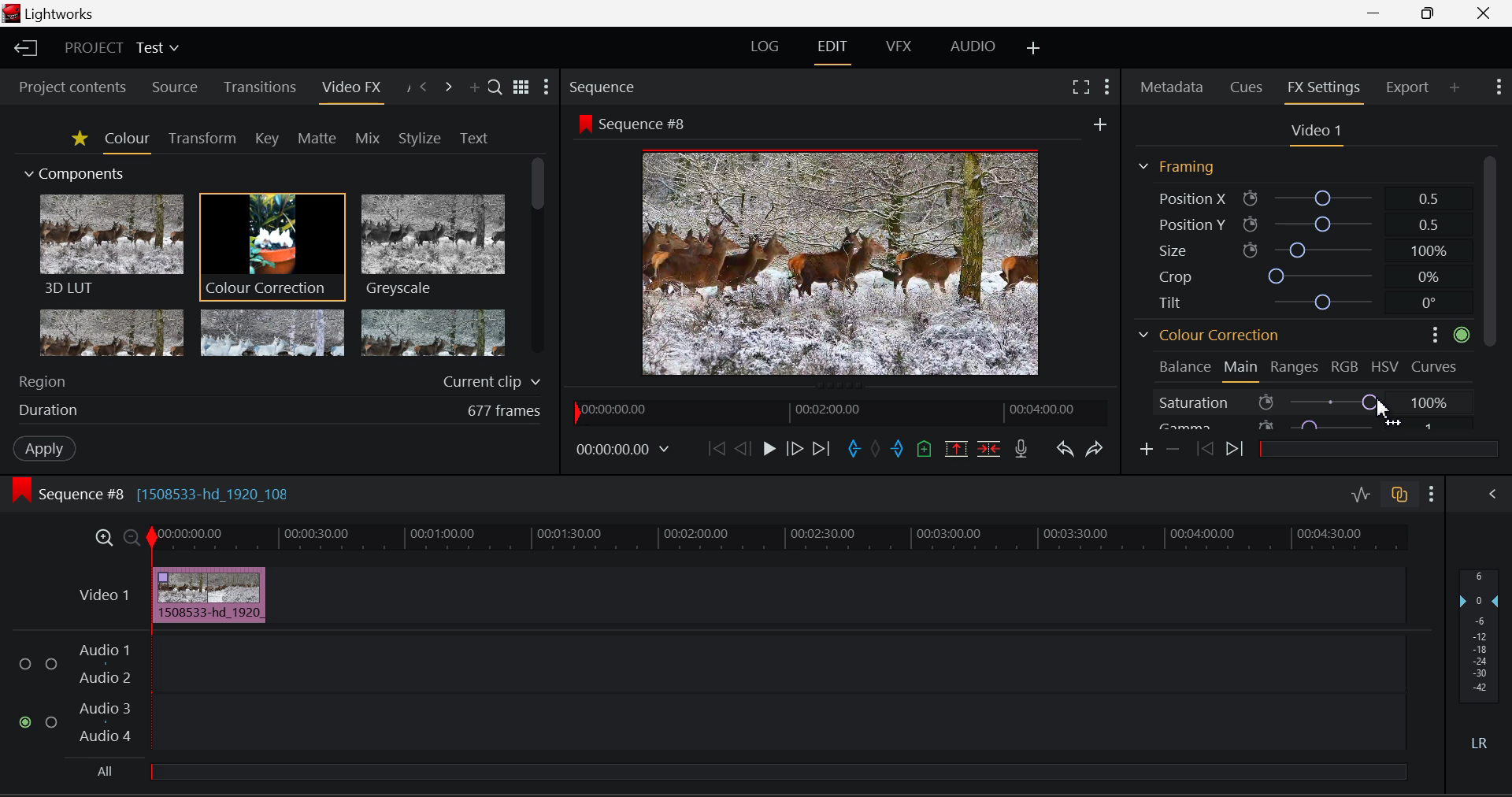 The width and height of the screenshot is (1512, 797). Describe the element at coordinates (821, 450) in the screenshot. I see `To End` at that location.